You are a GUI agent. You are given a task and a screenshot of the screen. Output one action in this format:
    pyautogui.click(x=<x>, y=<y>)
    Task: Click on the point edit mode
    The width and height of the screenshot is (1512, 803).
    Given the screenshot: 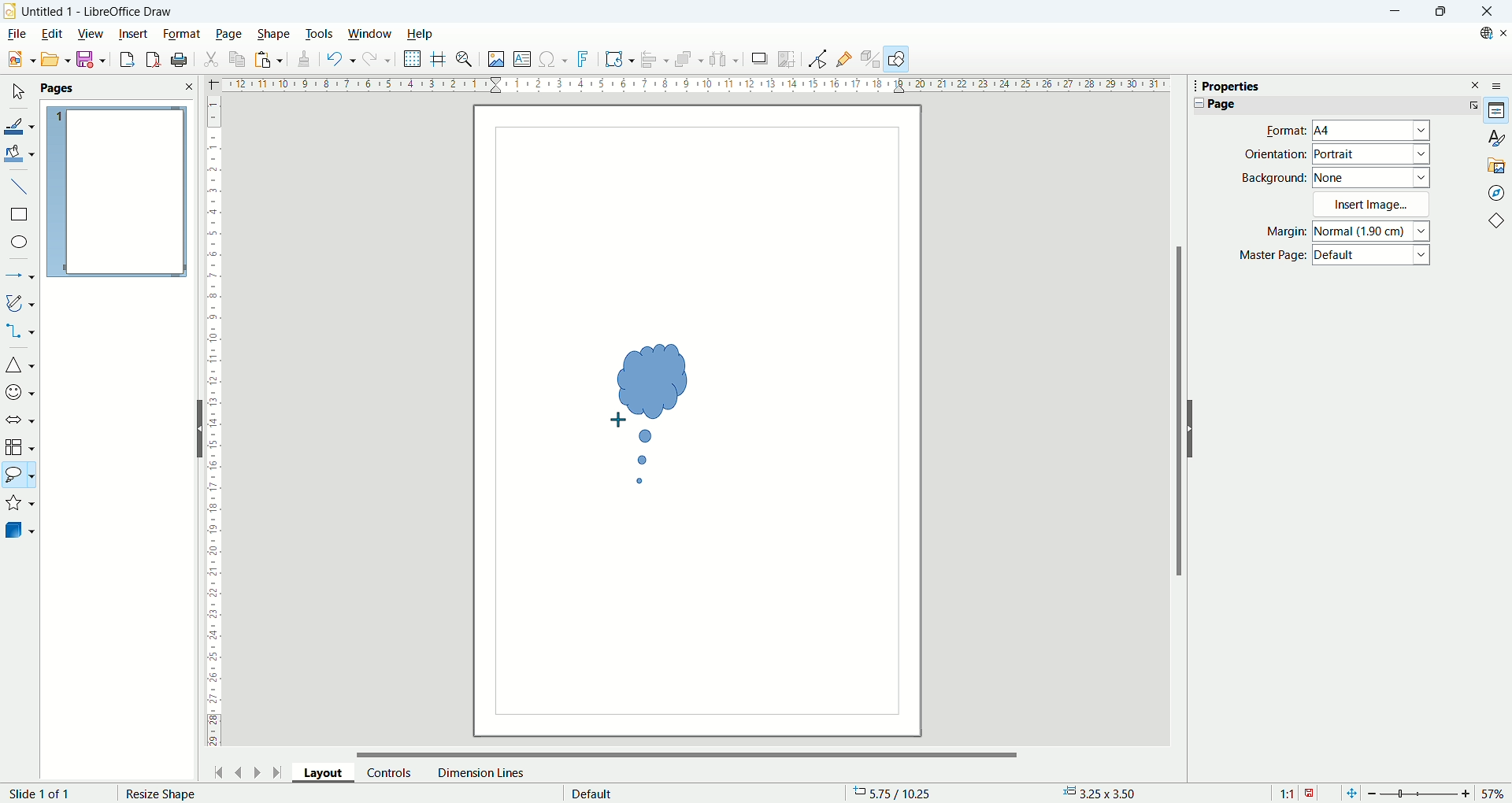 What is the action you would take?
    pyautogui.click(x=817, y=59)
    